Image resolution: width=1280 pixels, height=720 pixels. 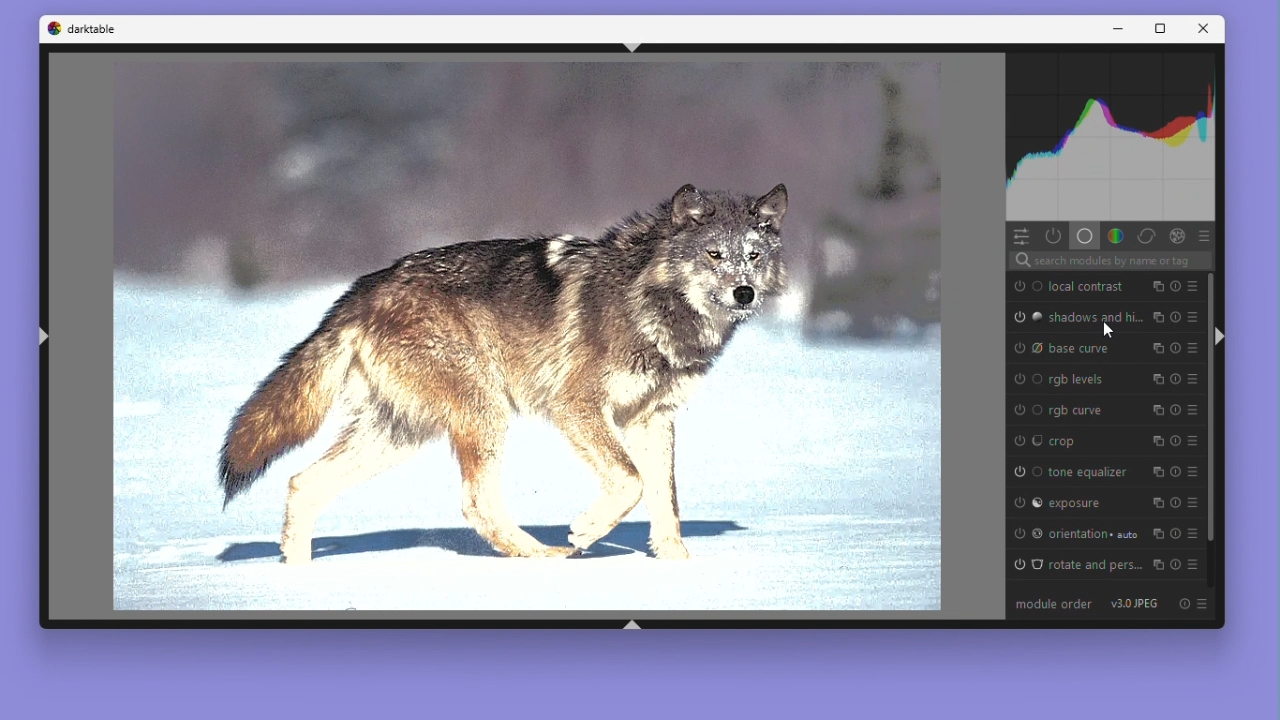 What do you see at coordinates (1193, 503) in the screenshot?
I see `presets` at bounding box center [1193, 503].